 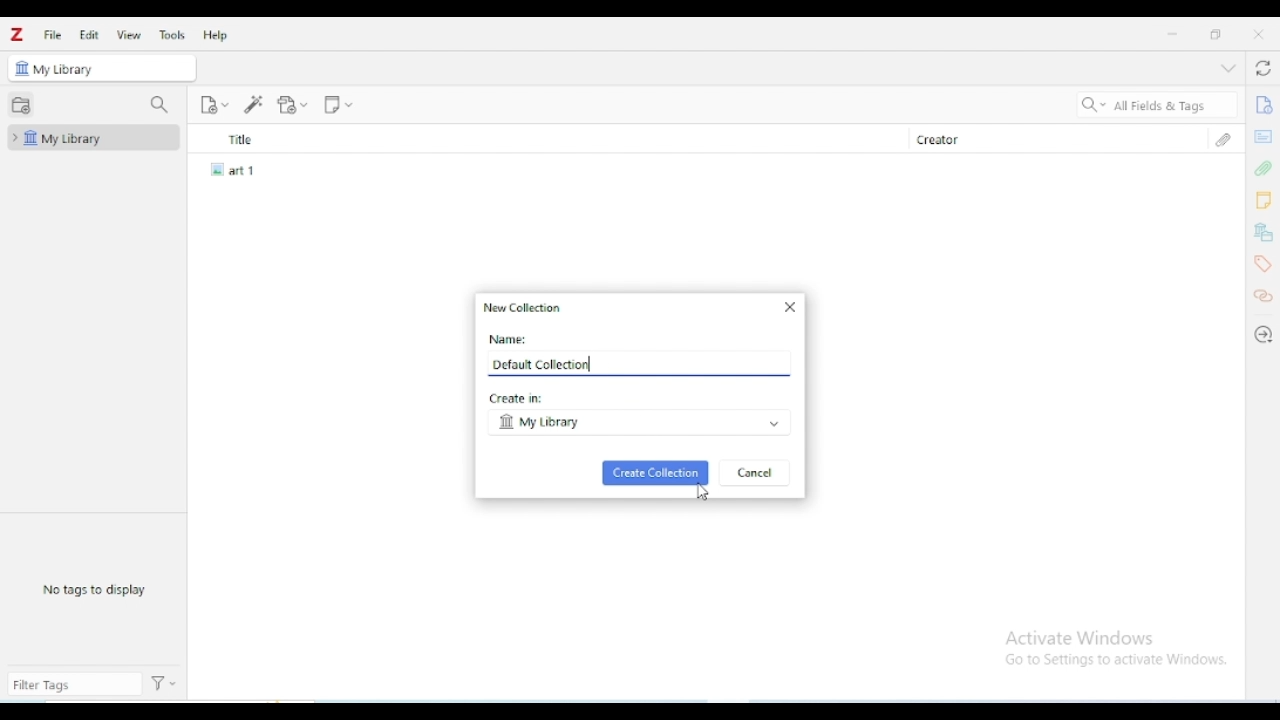 What do you see at coordinates (254, 104) in the screenshot?
I see `add item(s) by identifier` at bounding box center [254, 104].